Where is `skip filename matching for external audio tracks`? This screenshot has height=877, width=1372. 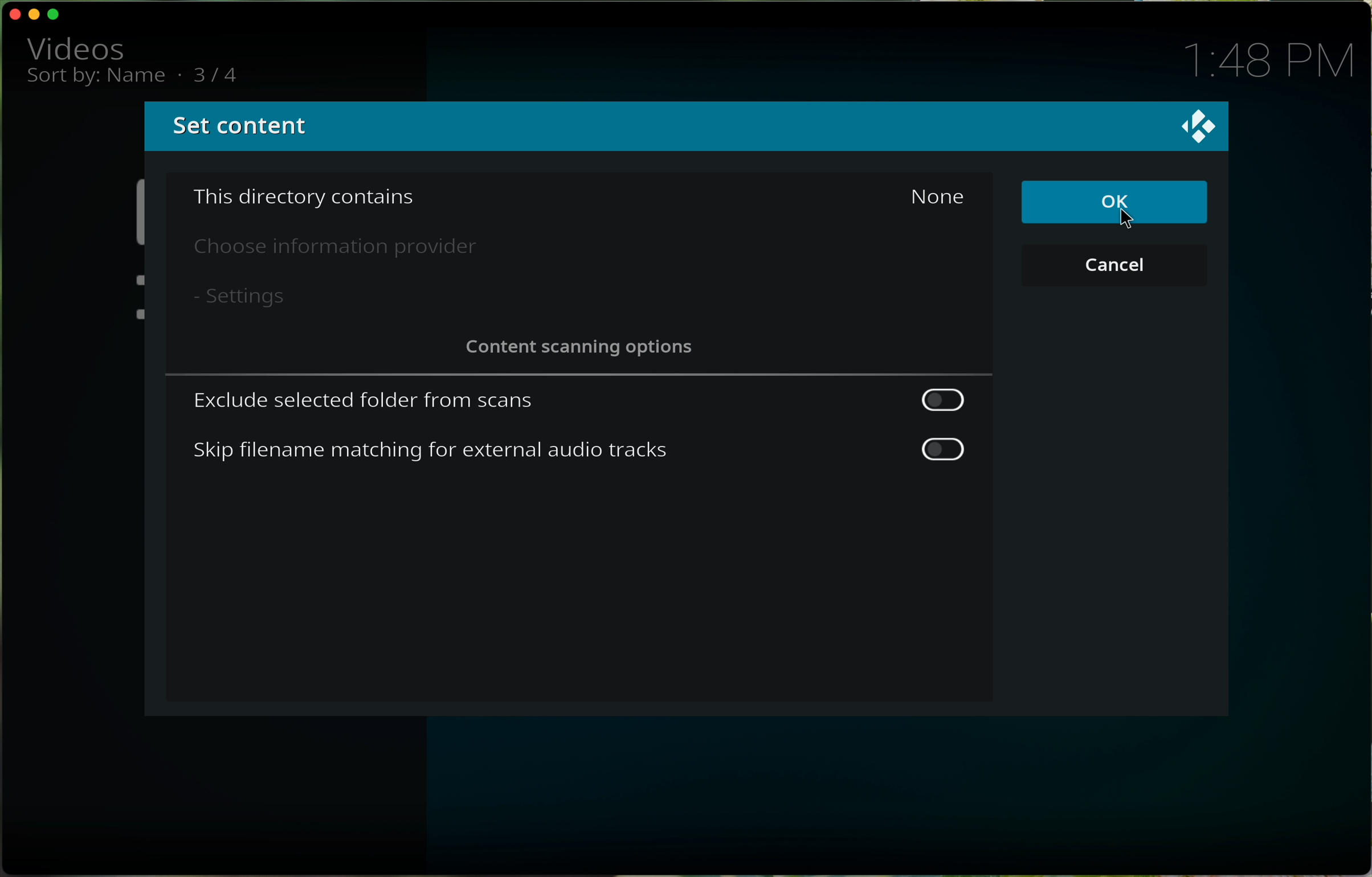
skip filename matching for external audio tracks is located at coordinates (582, 451).